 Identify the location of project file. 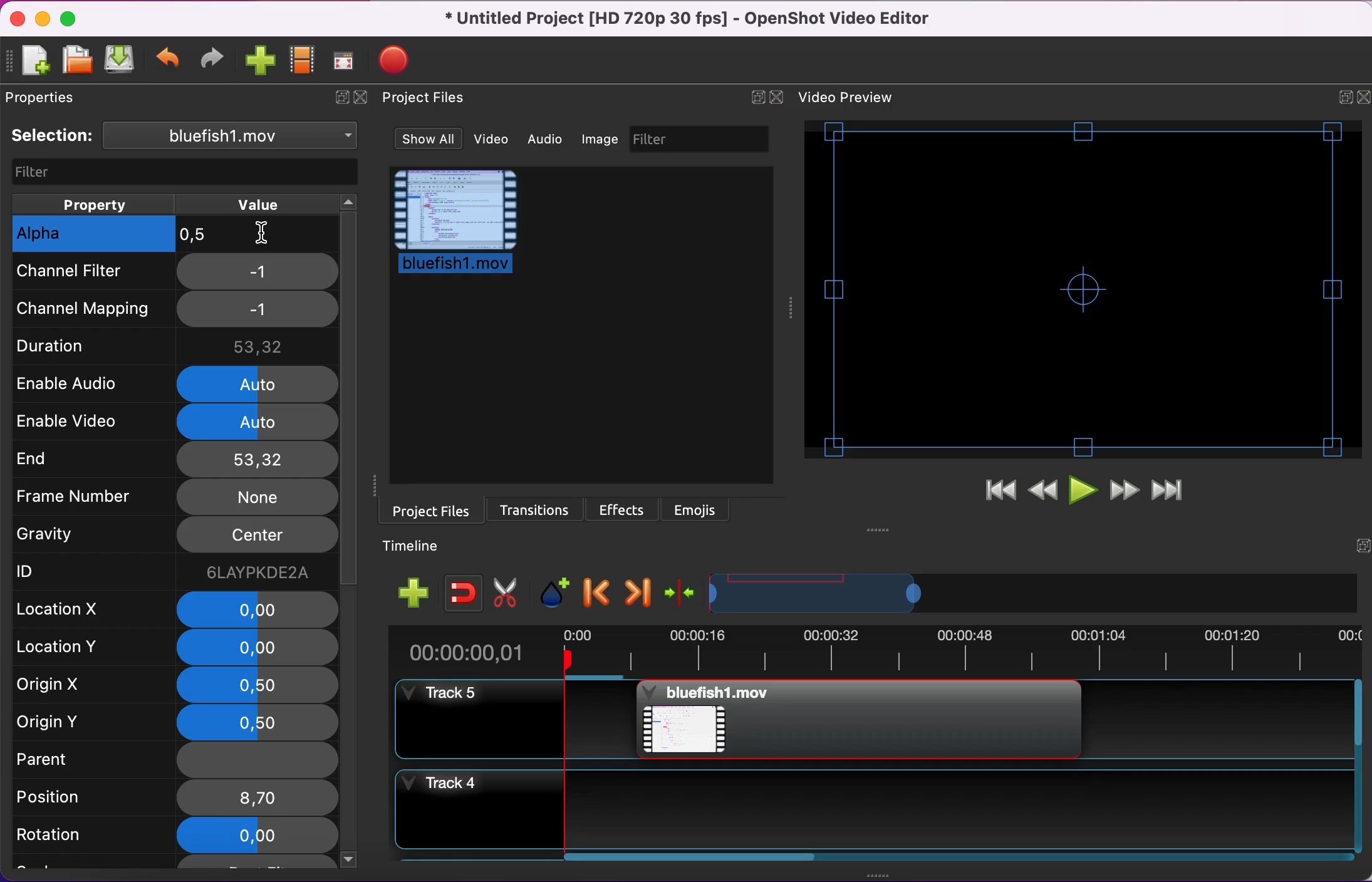
(457, 222).